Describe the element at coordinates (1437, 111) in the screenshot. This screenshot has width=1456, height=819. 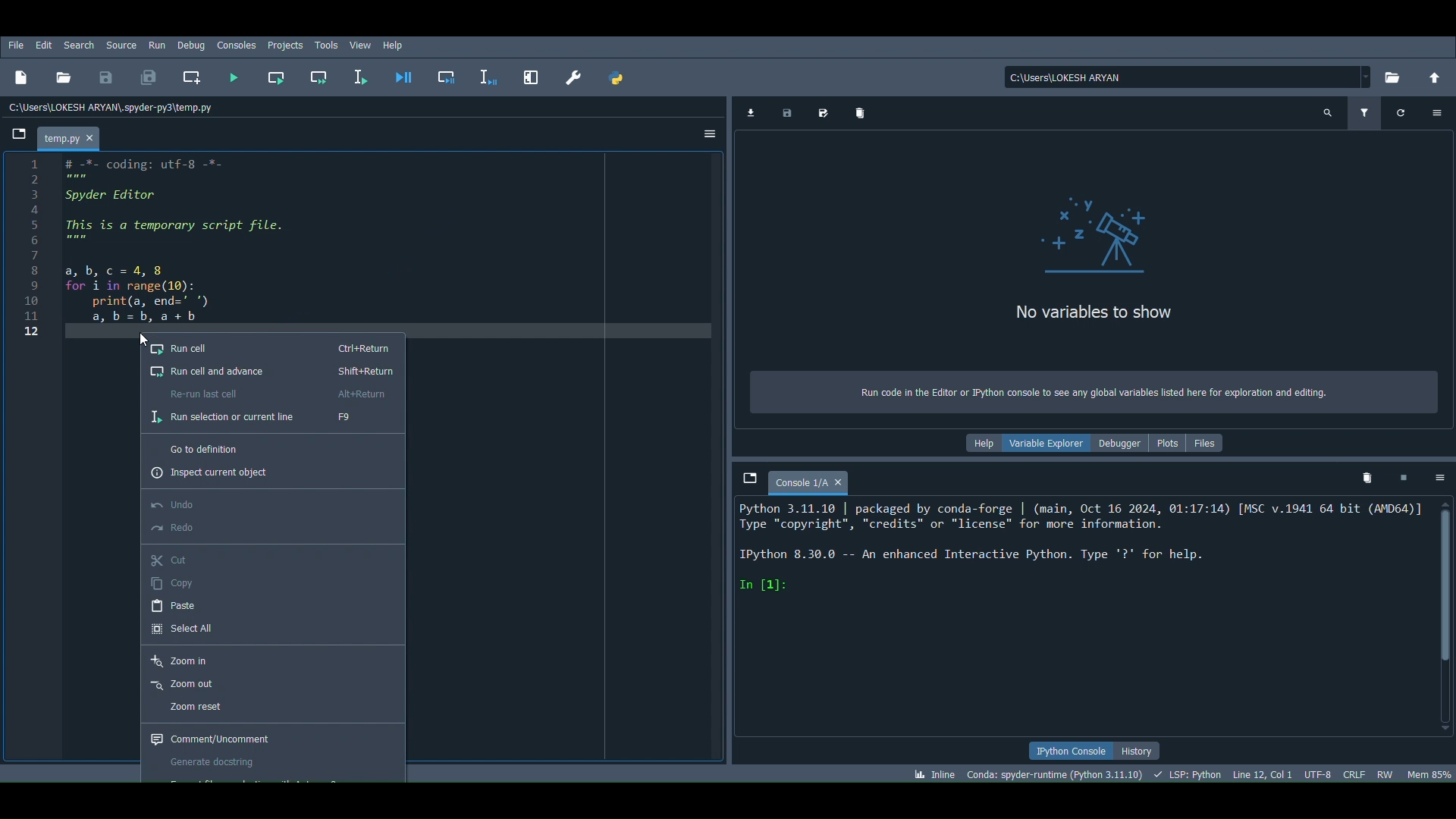
I see `Options` at that location.